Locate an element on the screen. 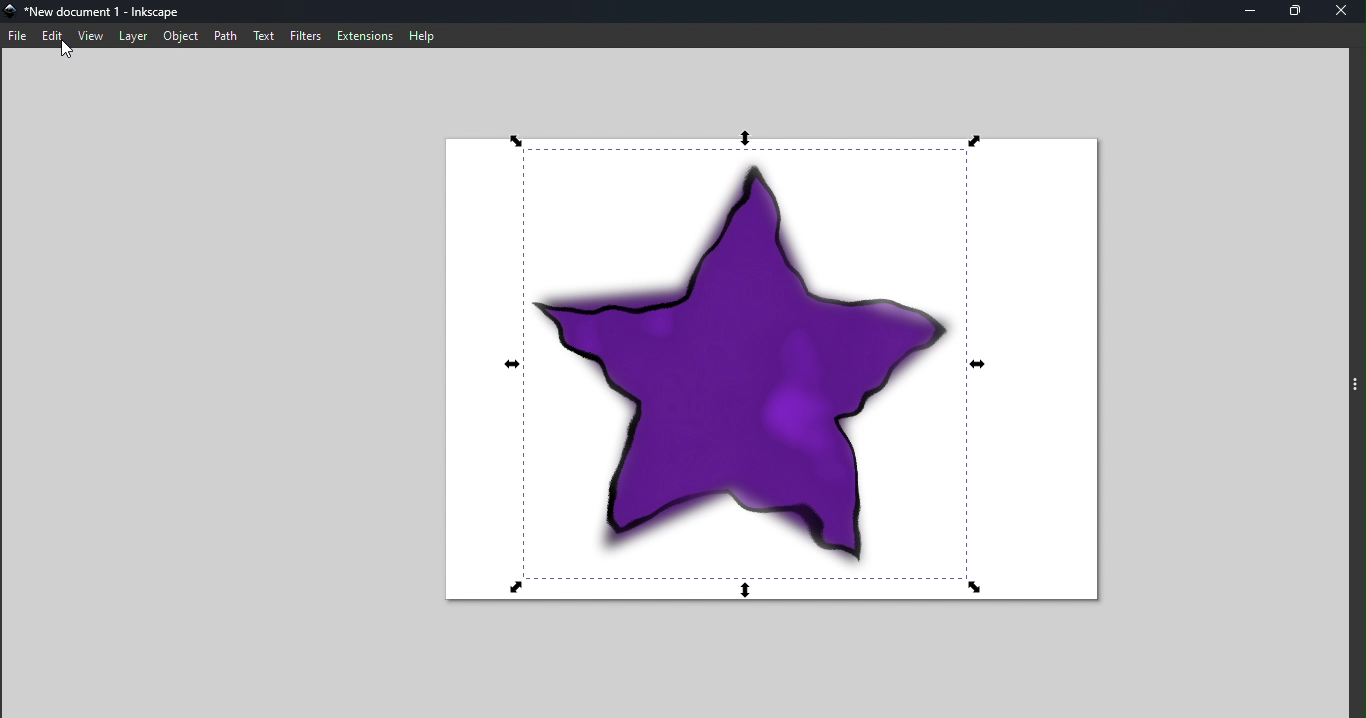 The height and width of the screenshot is (718, 1366). View is located at coordinates (91, 36).